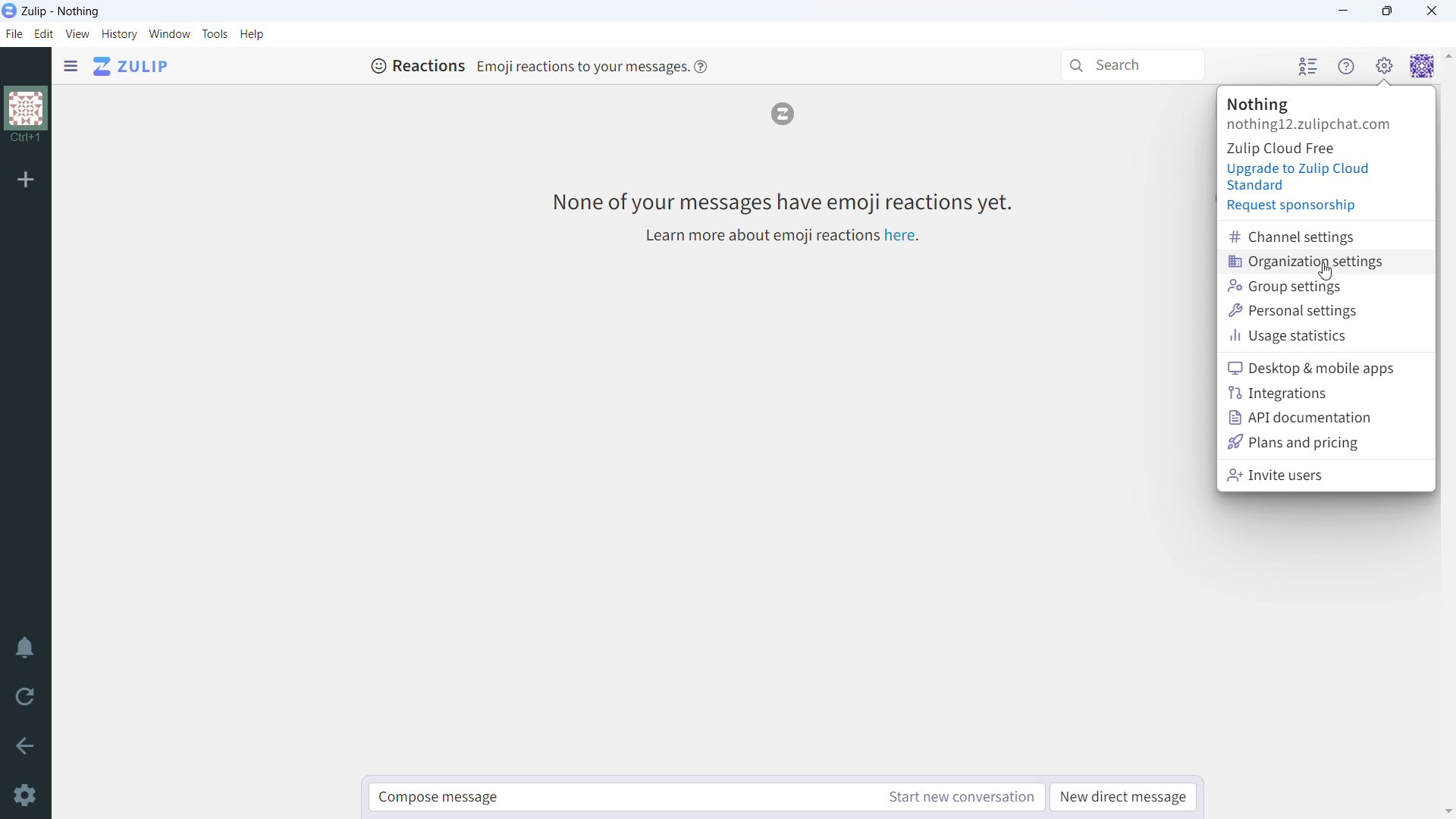  I want to click on group settings, so click(1326, 286).